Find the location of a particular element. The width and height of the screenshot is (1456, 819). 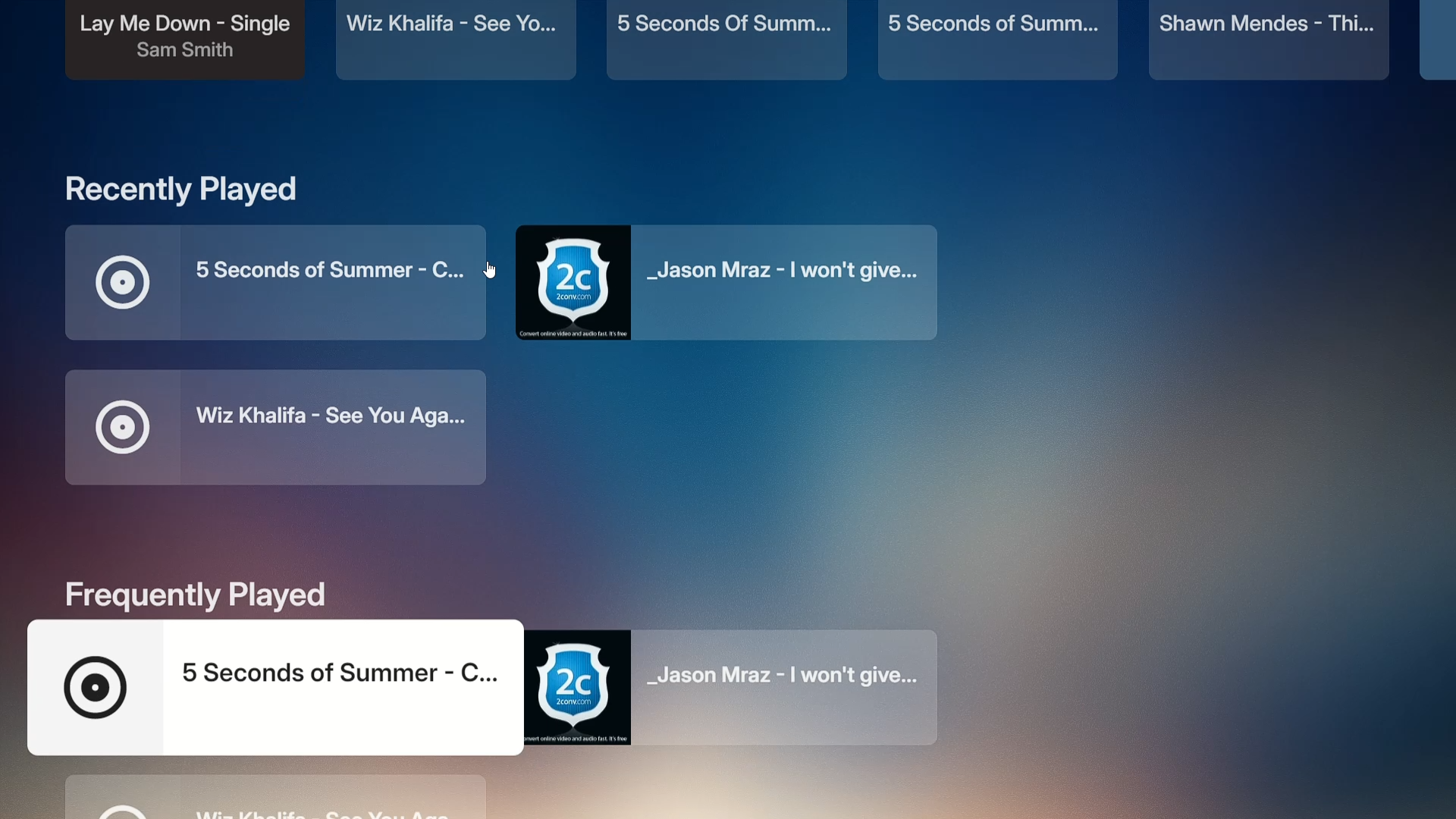

5 seconds of summer is located at coordinates (999, 42).